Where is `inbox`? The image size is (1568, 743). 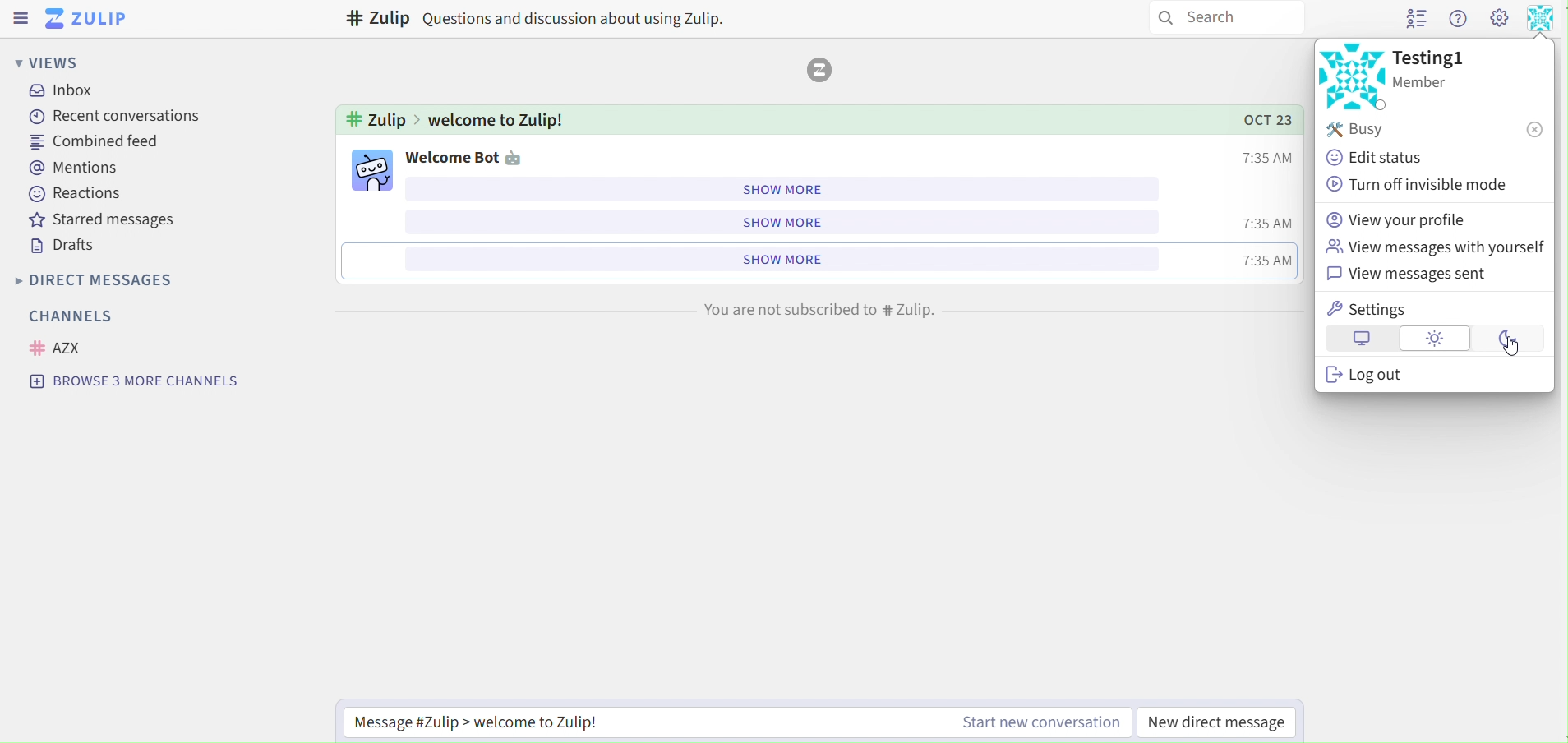
inbox is located at coordinates (67, 92).